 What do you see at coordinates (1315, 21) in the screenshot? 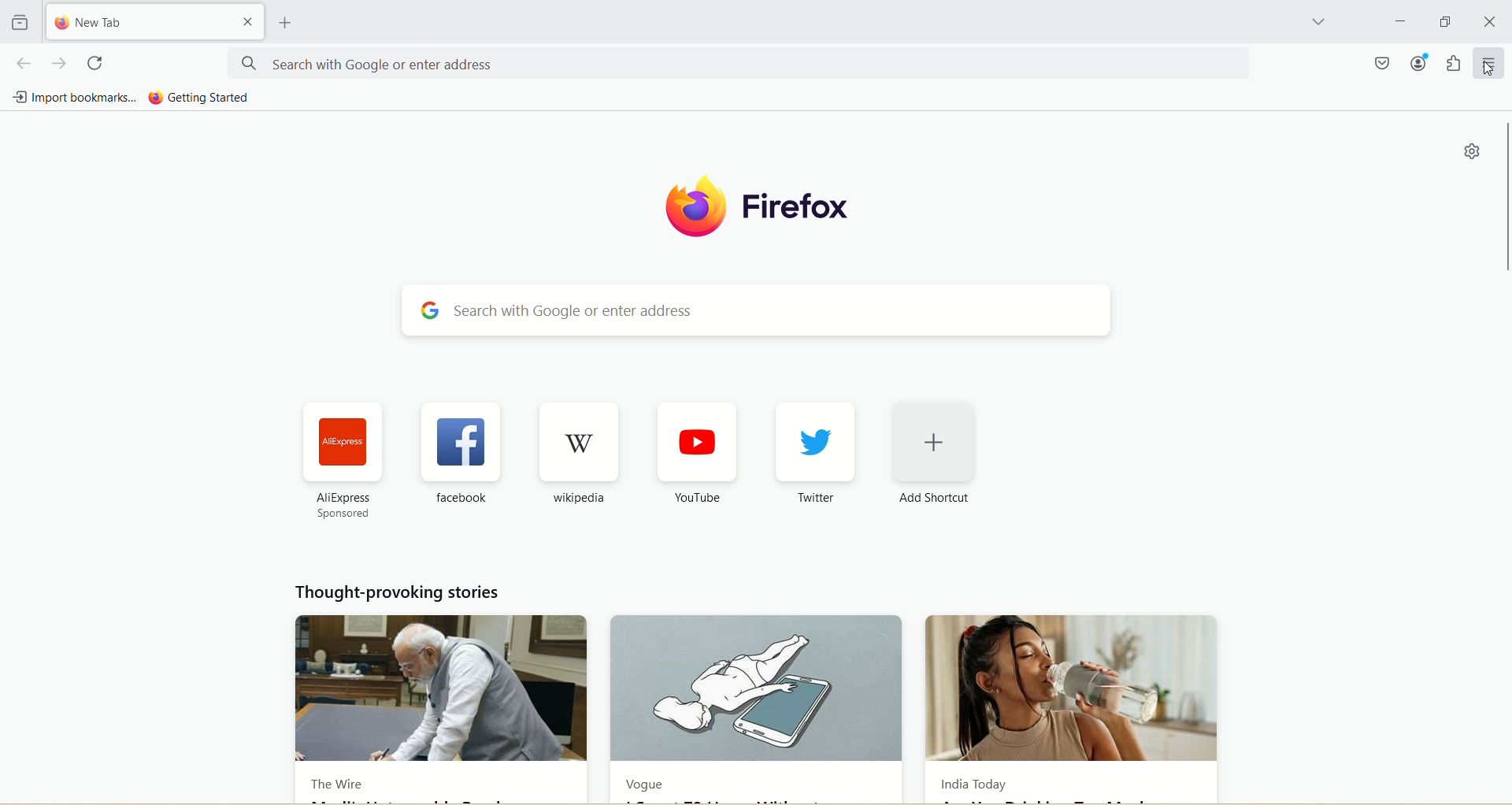
I see `list all tabs` at bounding box center [1315, 21].